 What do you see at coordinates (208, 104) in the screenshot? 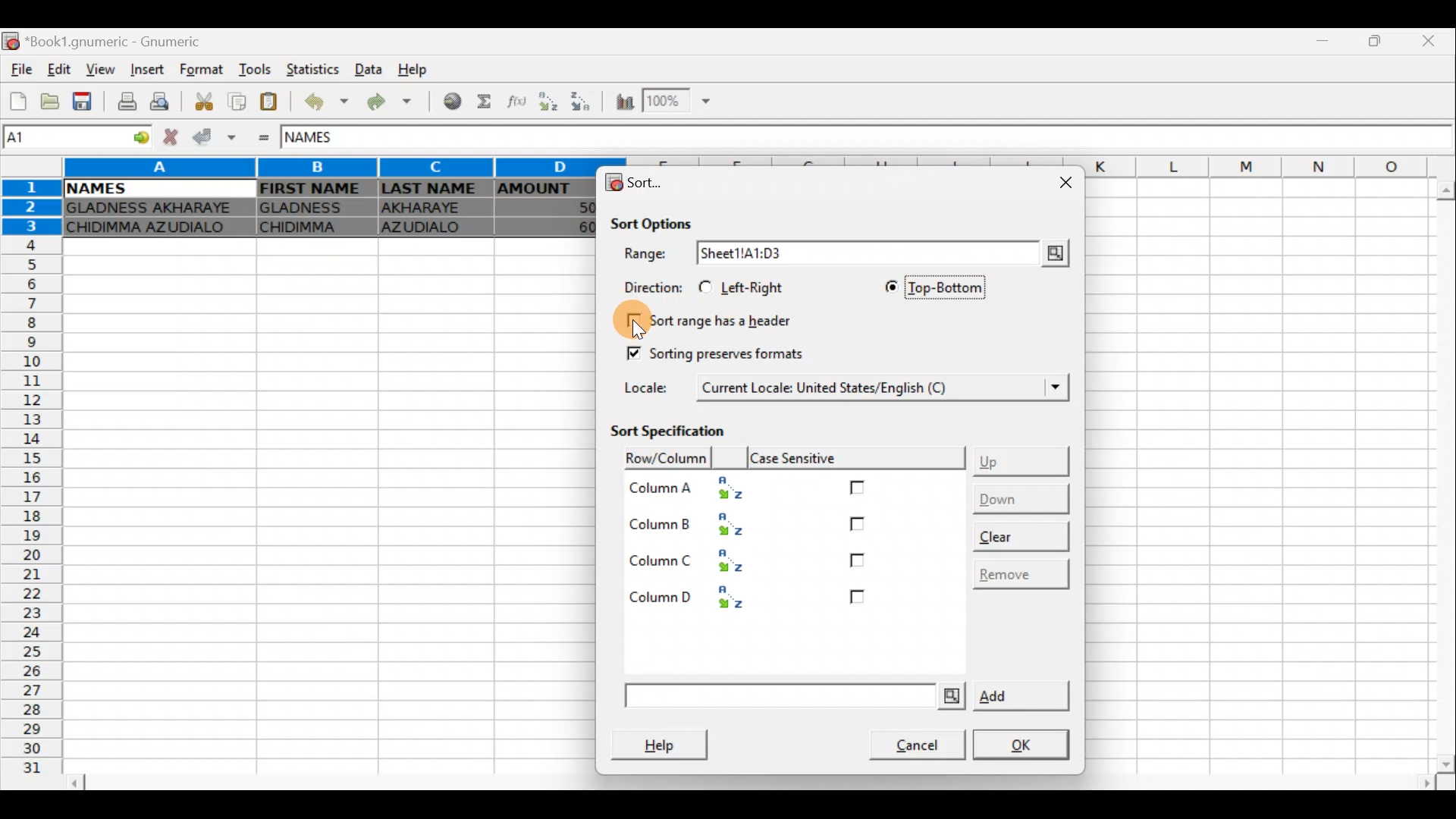
I see `Cut selection` at bounding box center [208, 104].